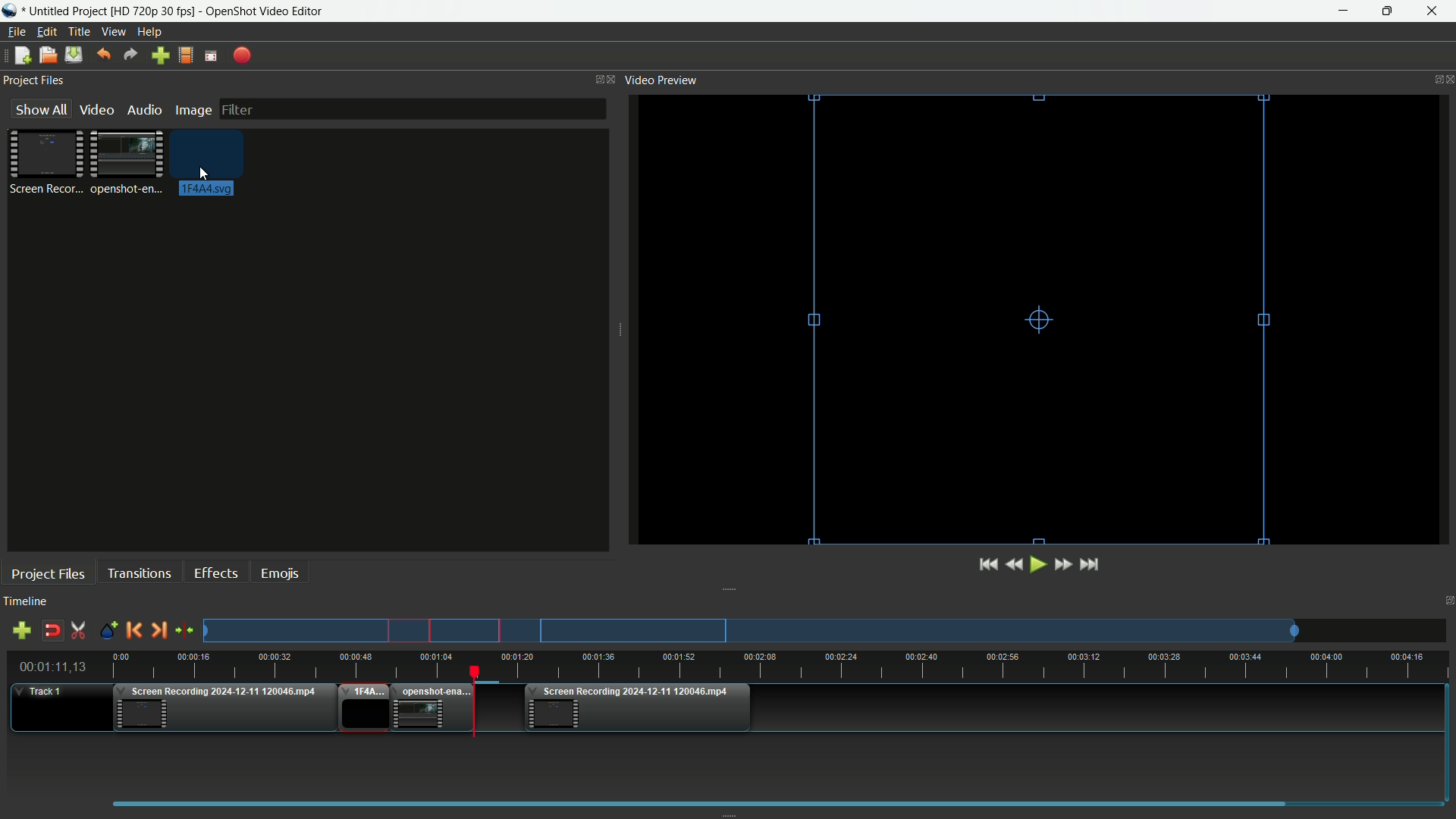 The height and width of the screenshot is (819, 1456). I want to click on View menu, so click(112, 33).